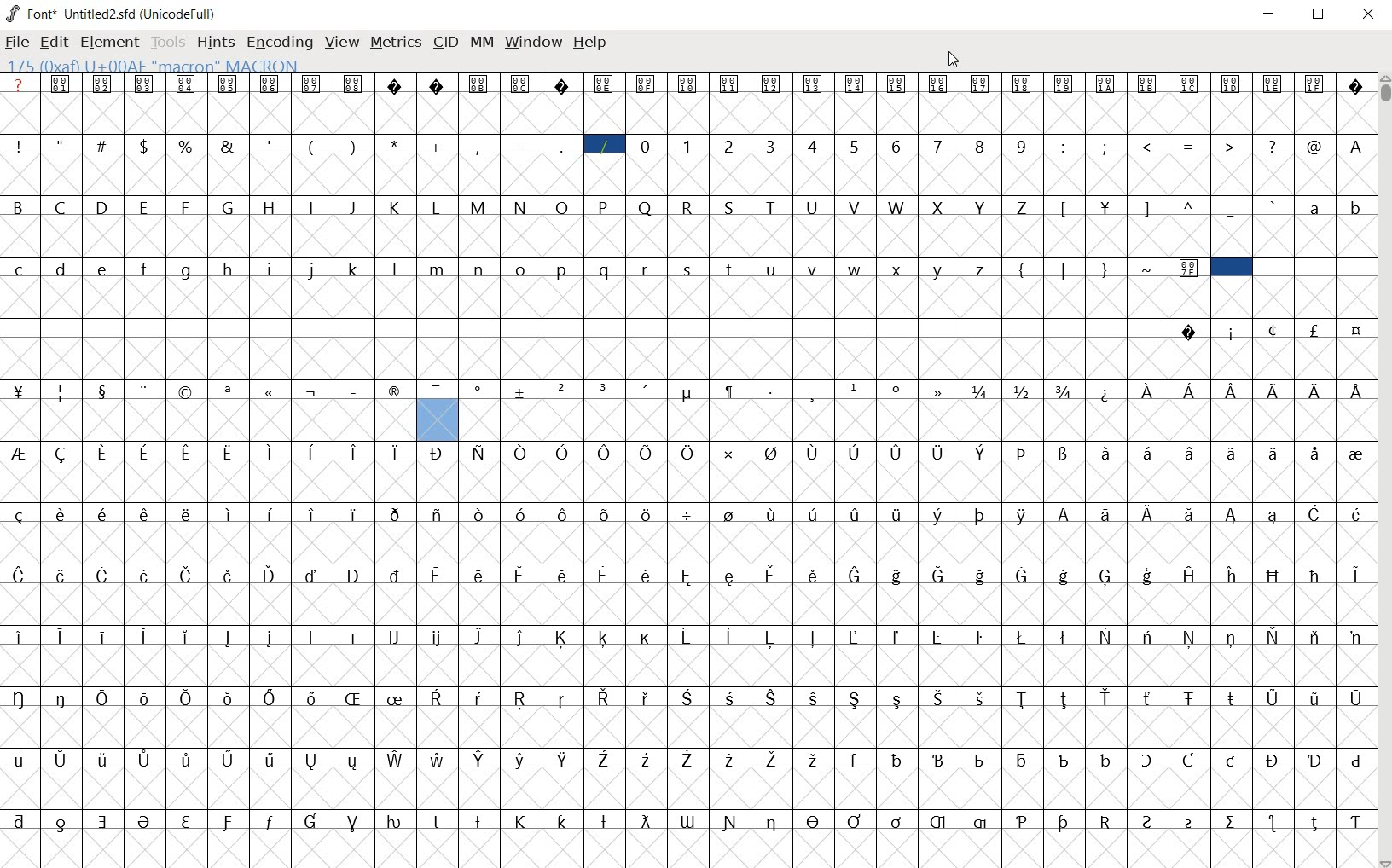 The image size is (1392, 868). Describe the element at coordinates (438, 145) in the screenshot. I see `+` at that location.